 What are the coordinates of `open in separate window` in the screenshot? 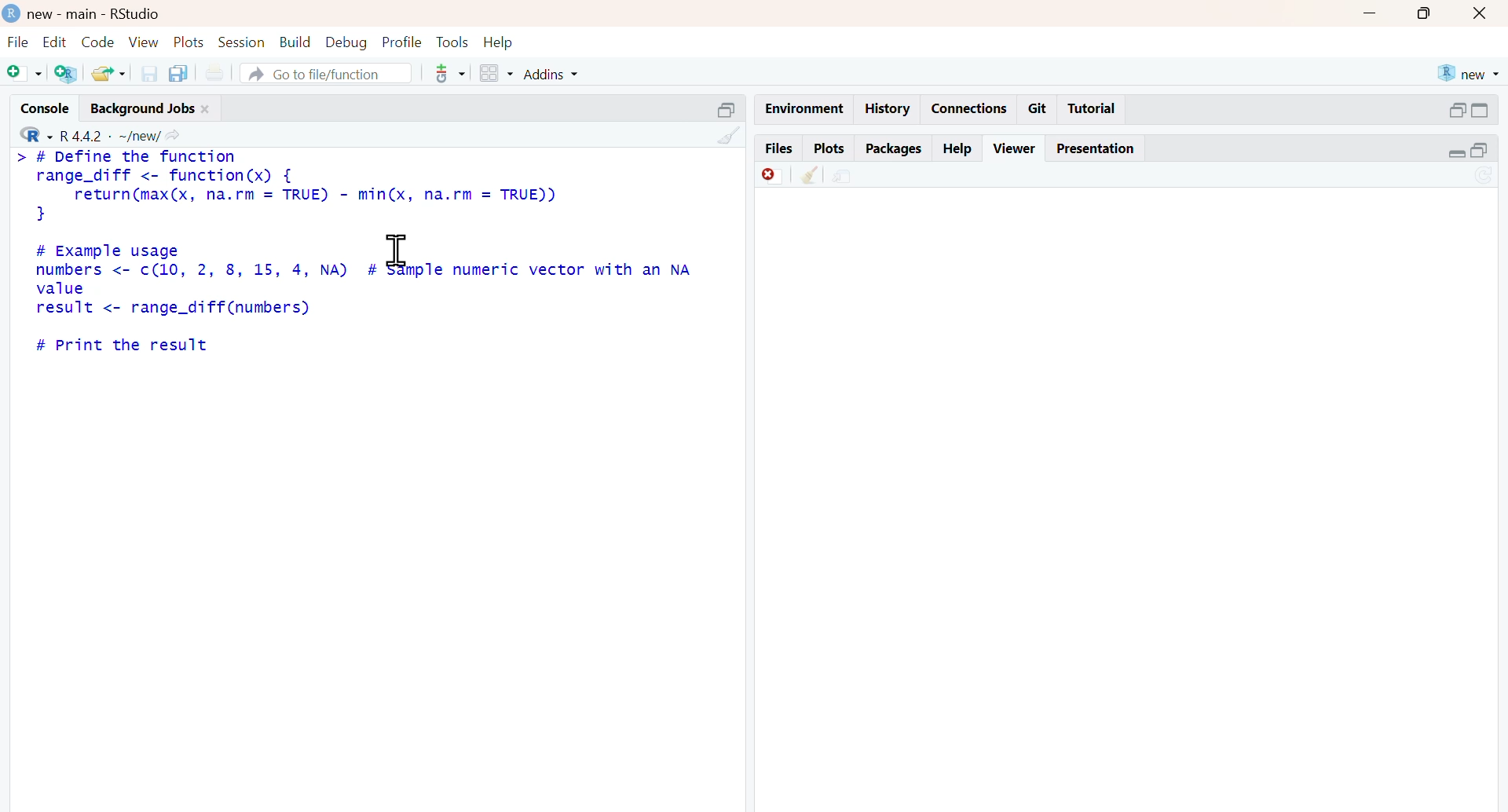 It's located at (1458, 110).